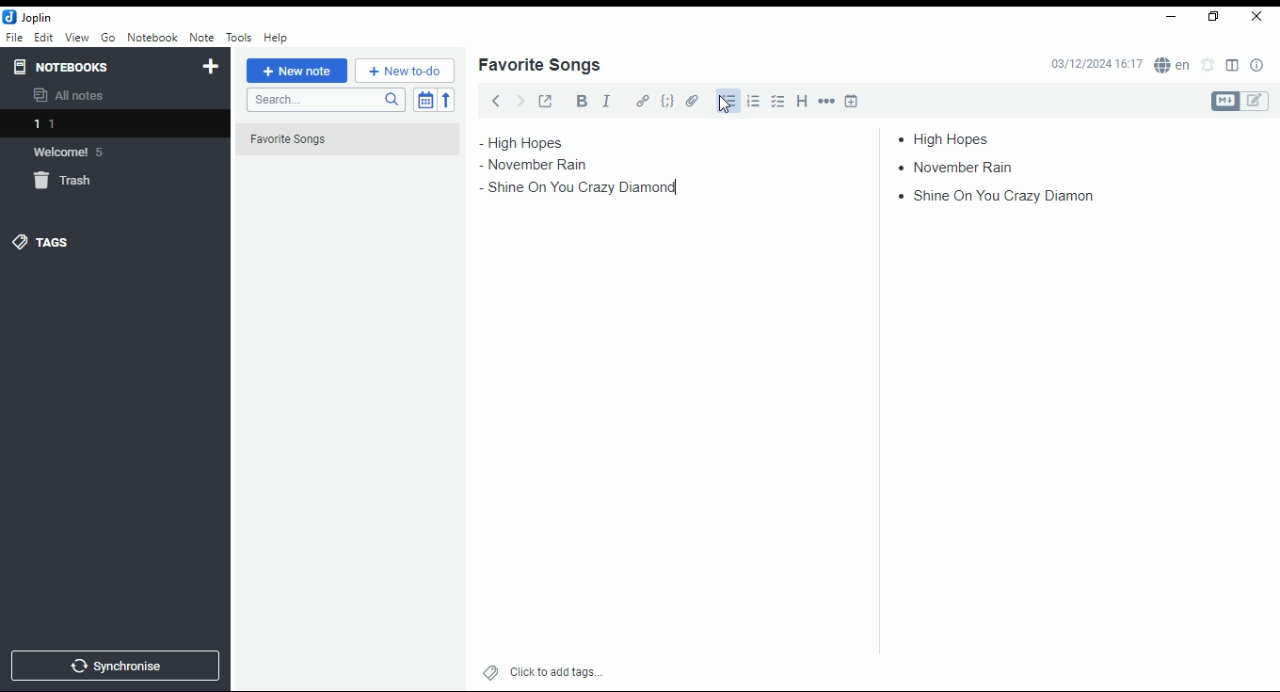  I want to click on shine on you crazy diamond, so click(584, 188).